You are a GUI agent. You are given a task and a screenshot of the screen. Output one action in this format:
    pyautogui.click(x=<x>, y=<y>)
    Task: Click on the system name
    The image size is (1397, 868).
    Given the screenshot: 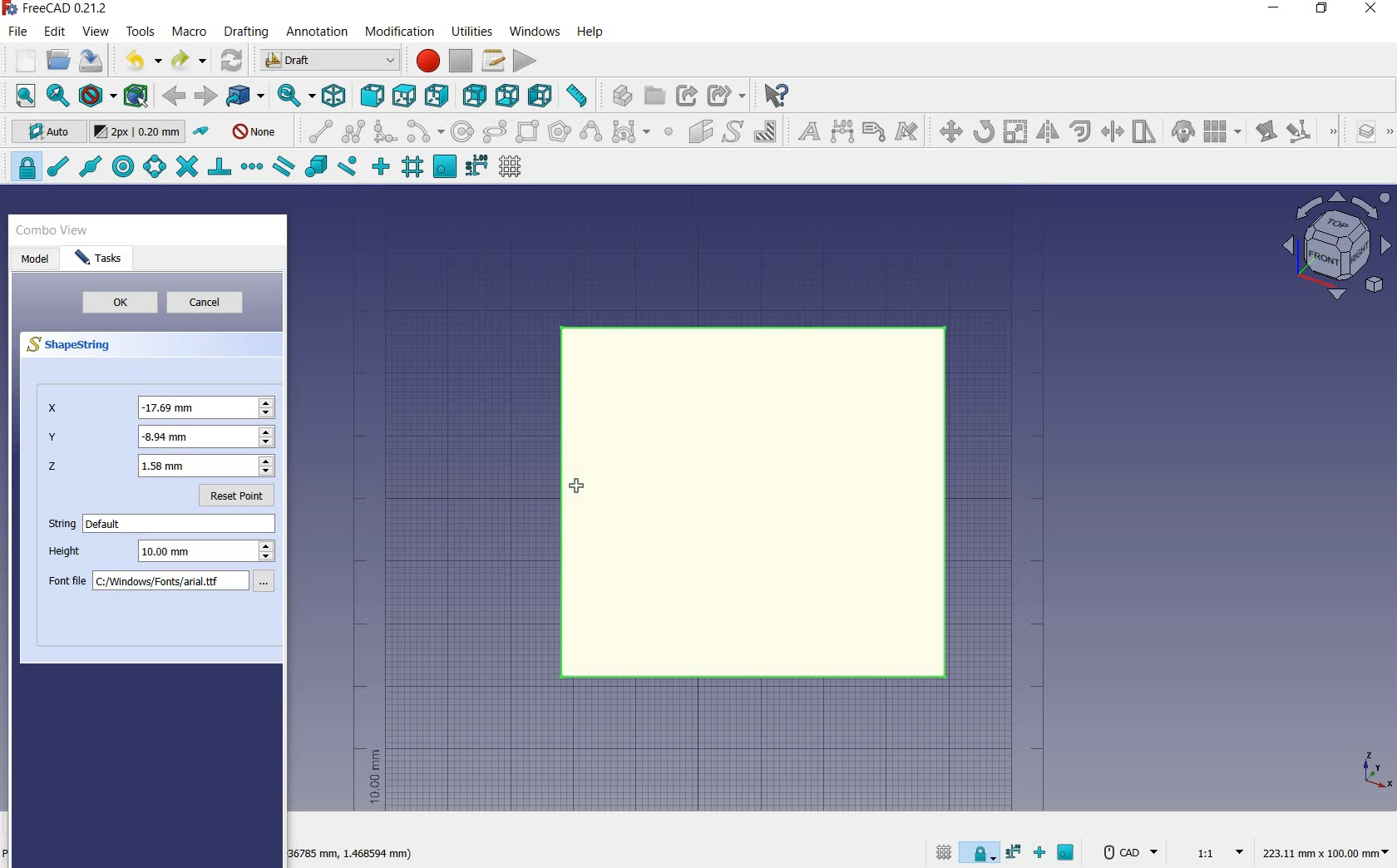 What is the action you would take?
    pyautogui.click(x=60, y=8)
    